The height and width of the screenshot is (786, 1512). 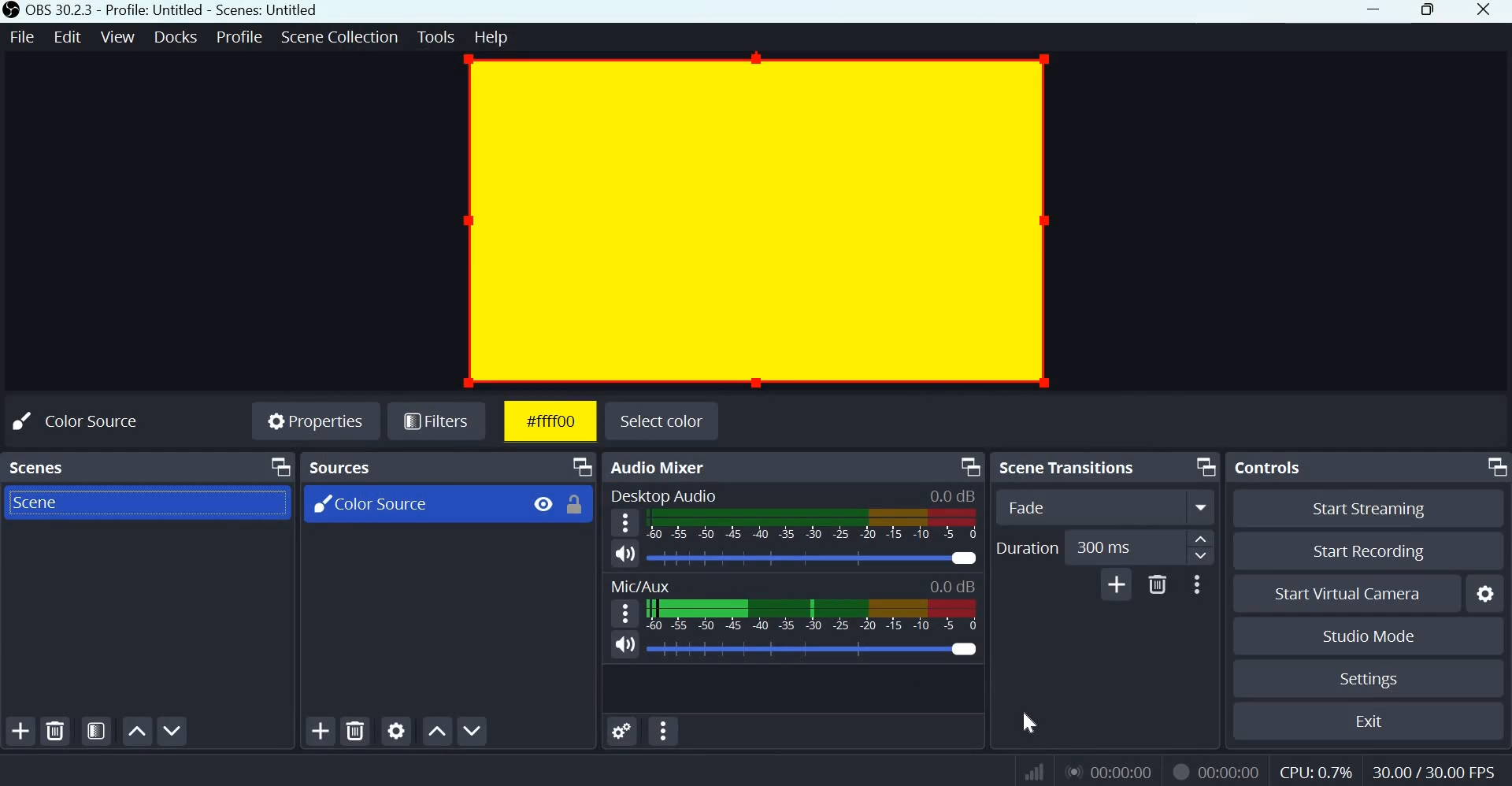 I want to click on Duration Input, so click(x=1140, y=548).